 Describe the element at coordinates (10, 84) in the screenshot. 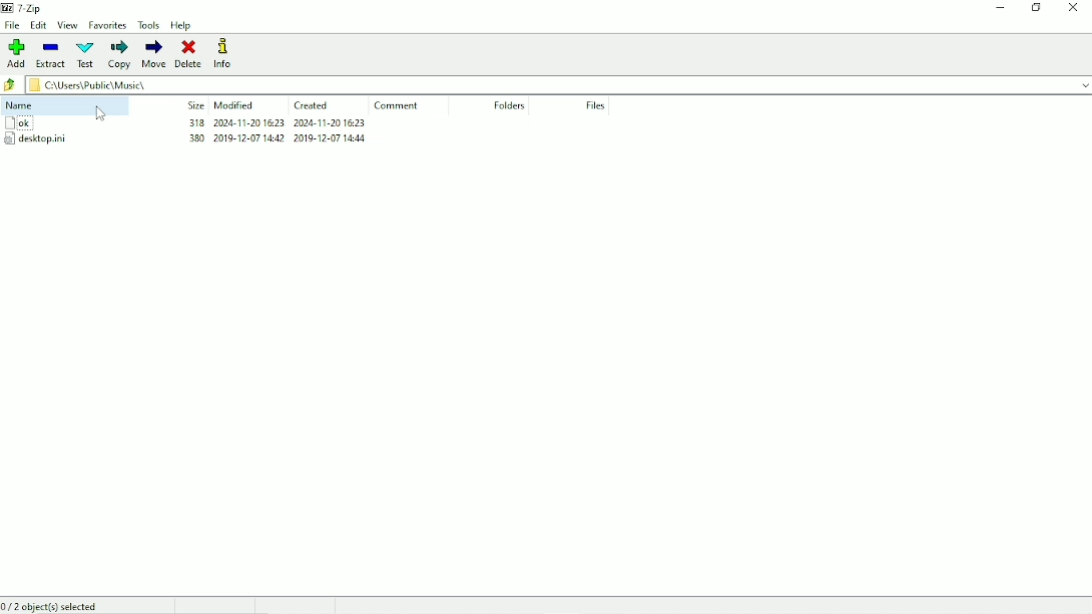

I see `Back` at that location.